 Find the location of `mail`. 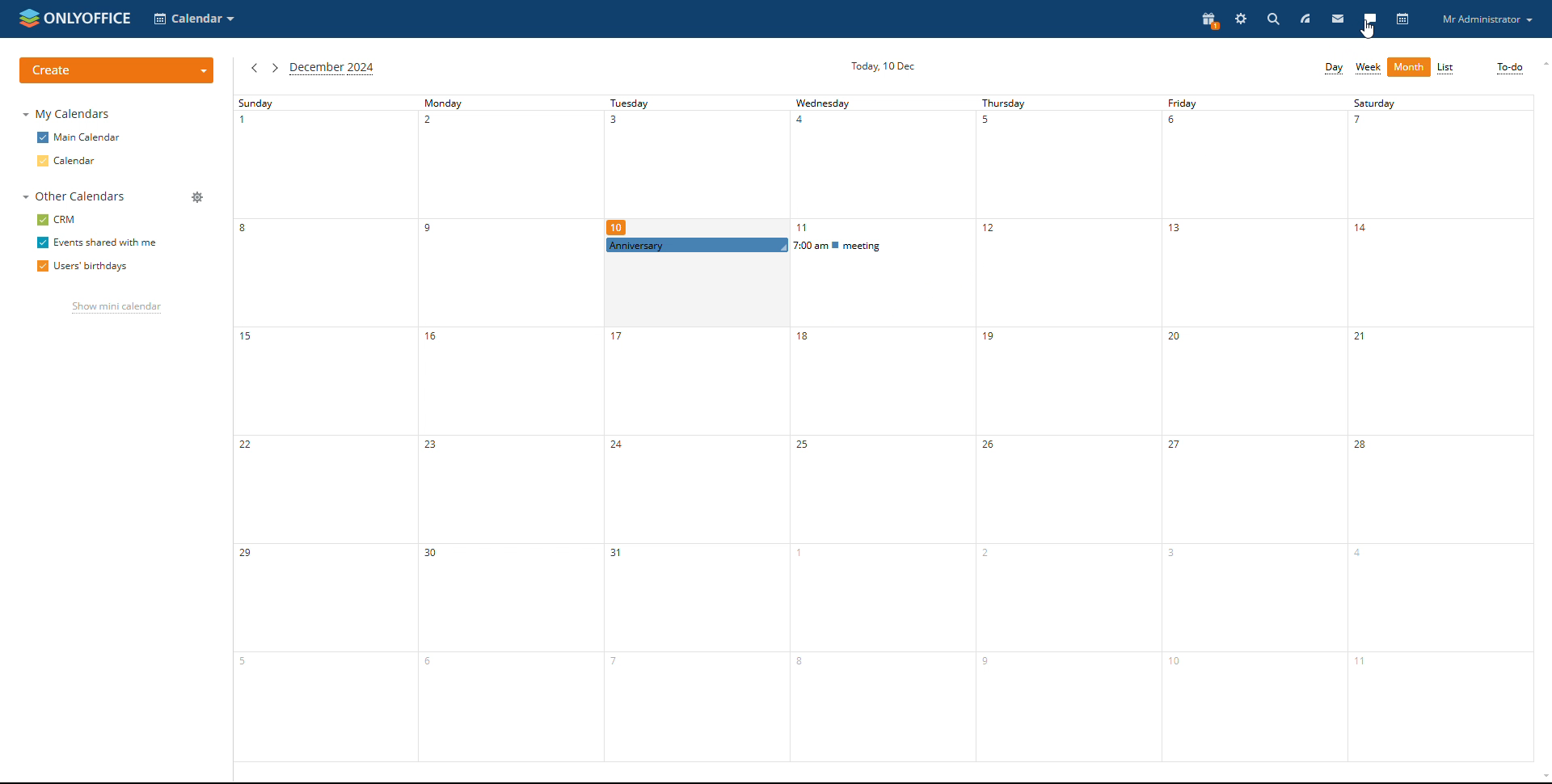

mail is located at coordinates (1338, 19).